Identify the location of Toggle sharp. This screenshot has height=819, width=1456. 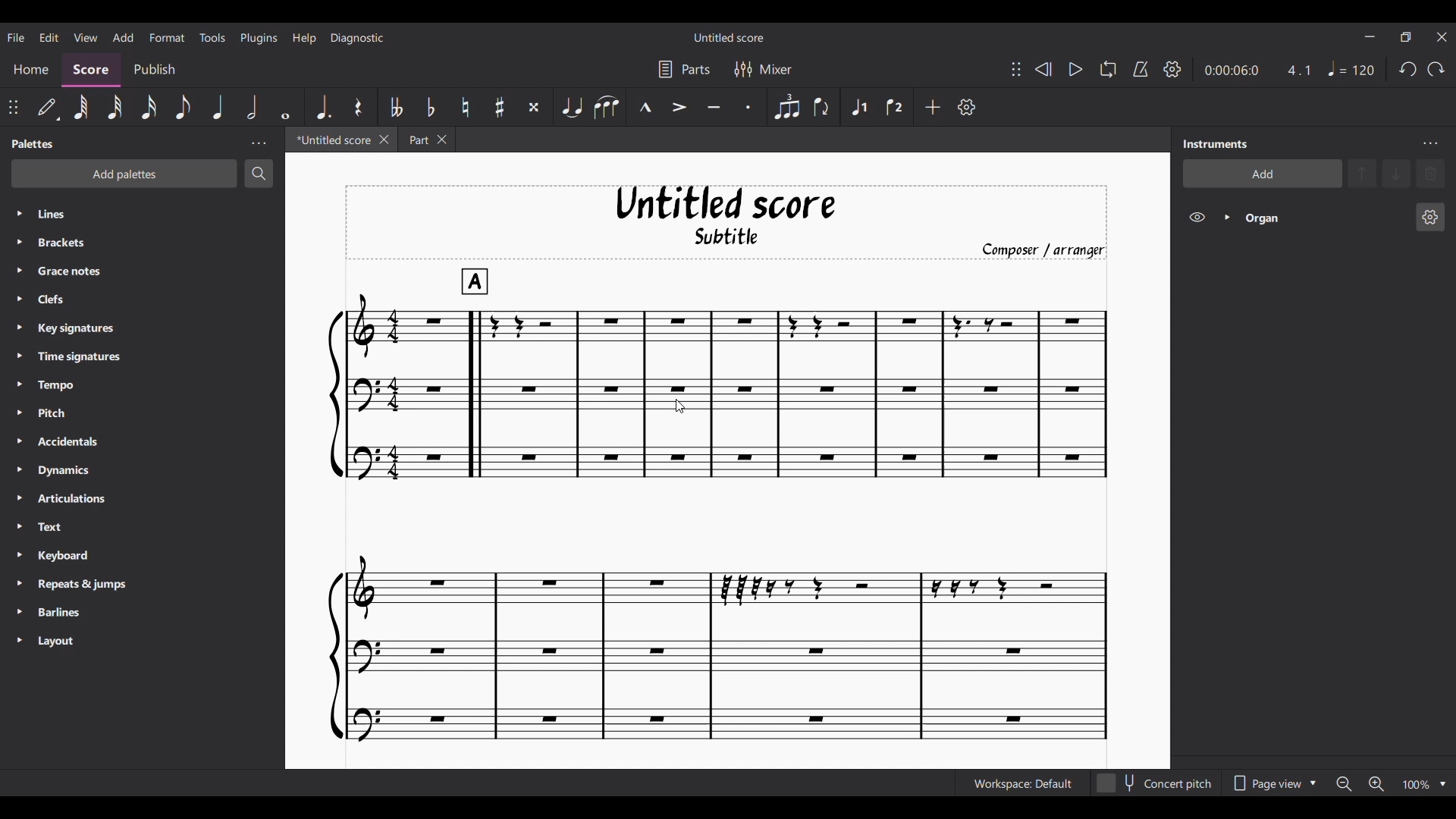
(499, 107).